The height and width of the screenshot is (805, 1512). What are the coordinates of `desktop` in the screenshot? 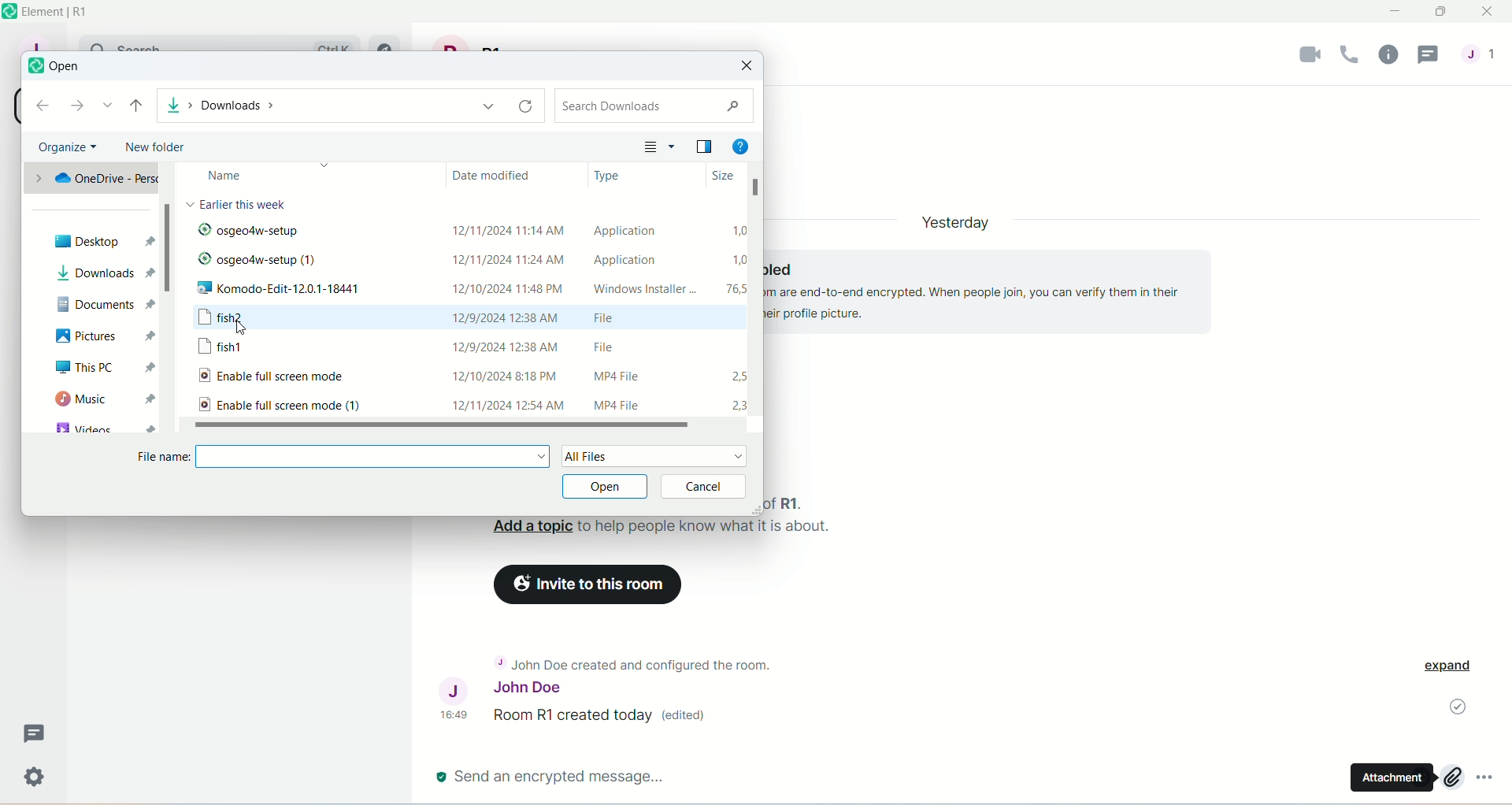 It's located at (101, 239).